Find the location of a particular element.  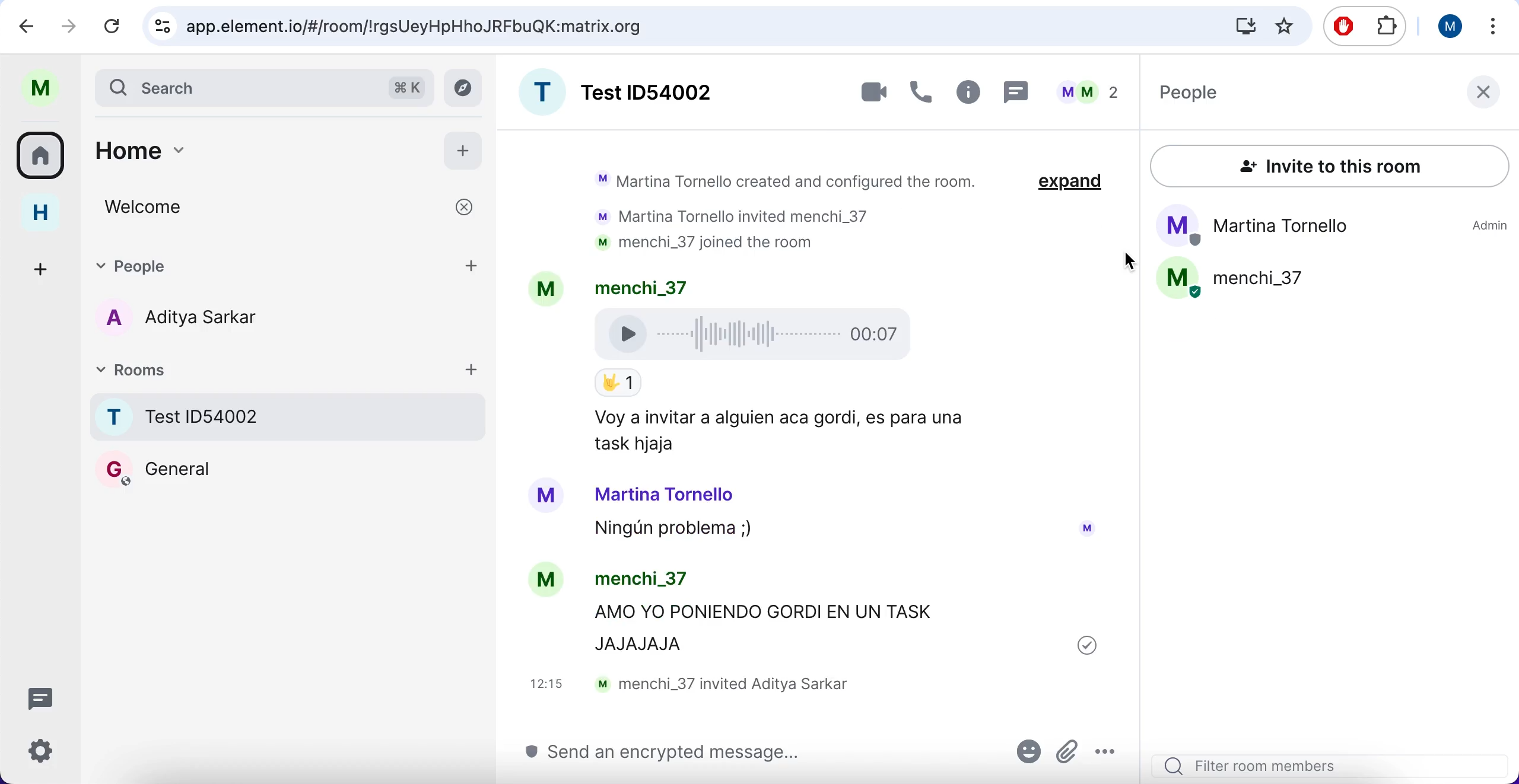

cursor is located at coordinates (1131, 265).